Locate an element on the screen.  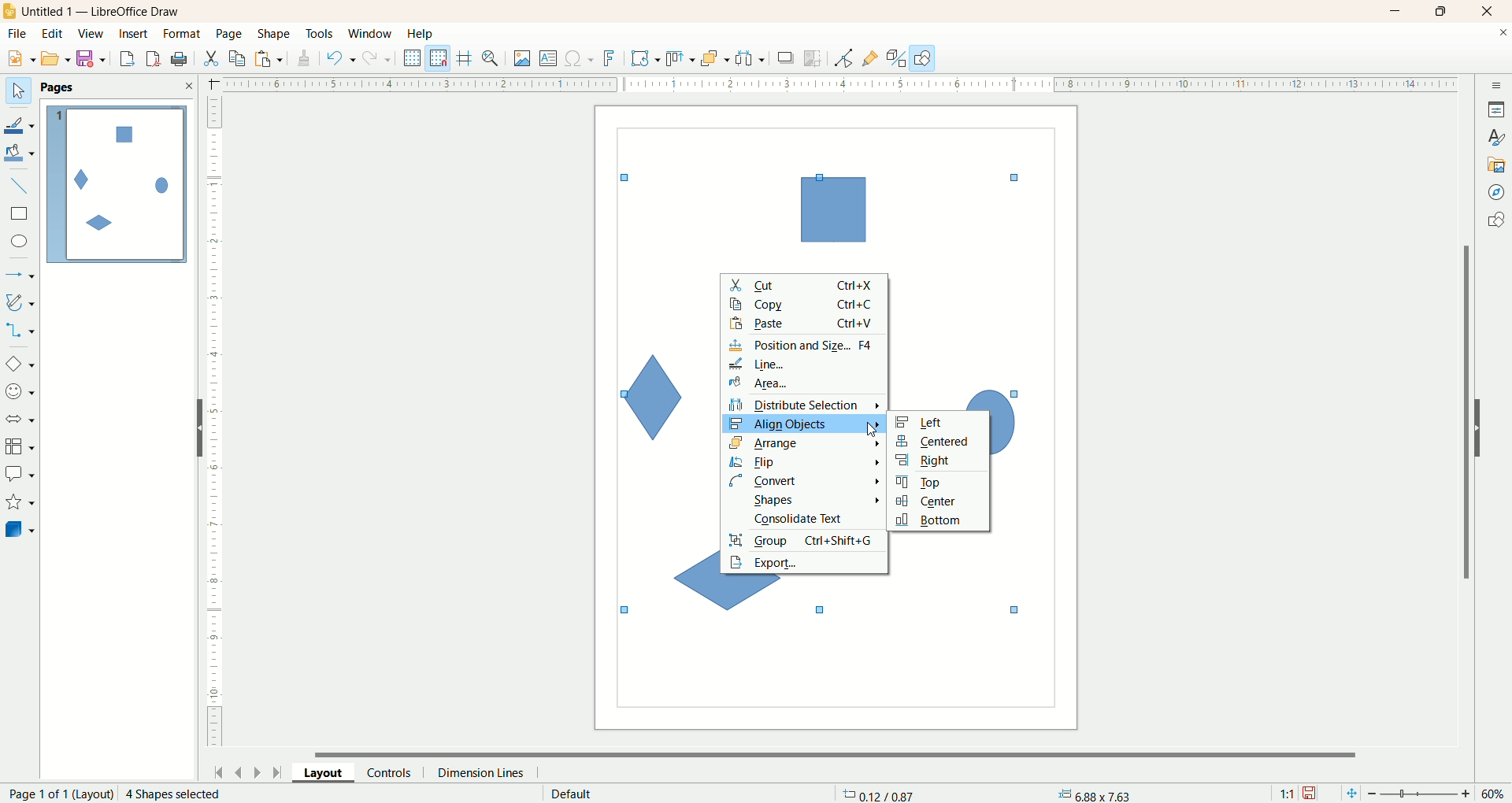
arrange is located at coordinates (716, 57).